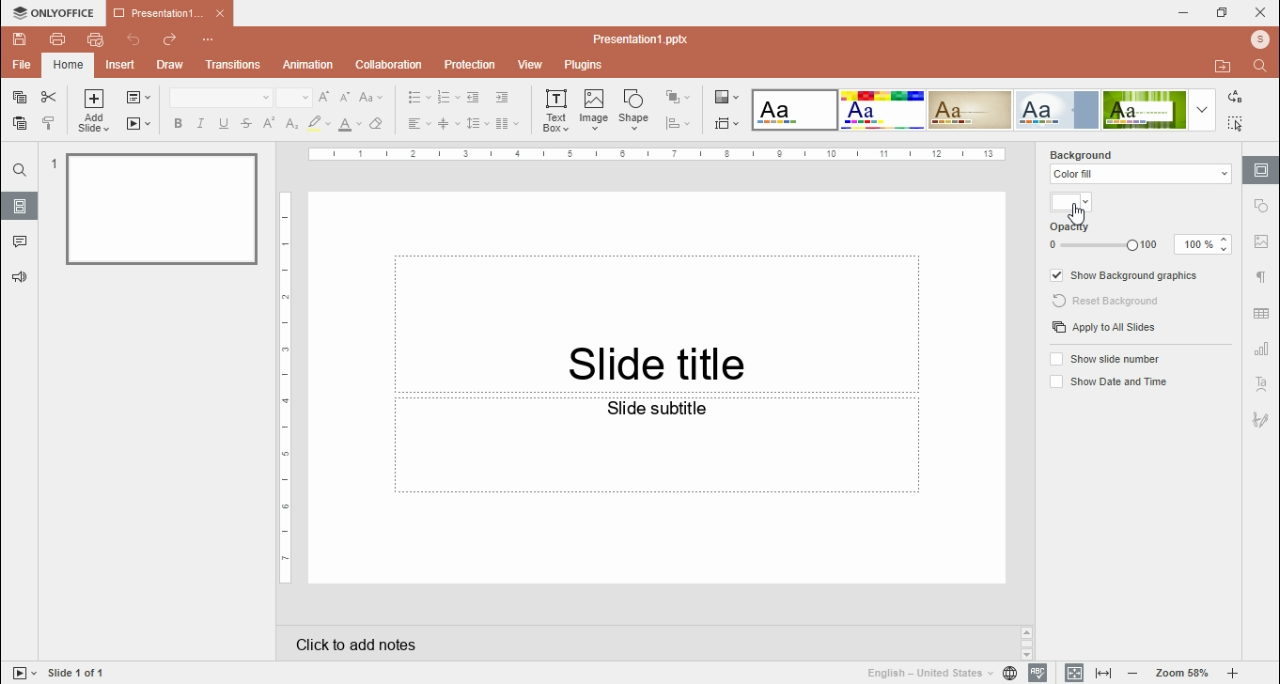 The height and width of the screenshot is (684, 1280). What do you see at coordinates (169, 65) in the screenshot?
I see `draw` at bounding box center [169, 65].